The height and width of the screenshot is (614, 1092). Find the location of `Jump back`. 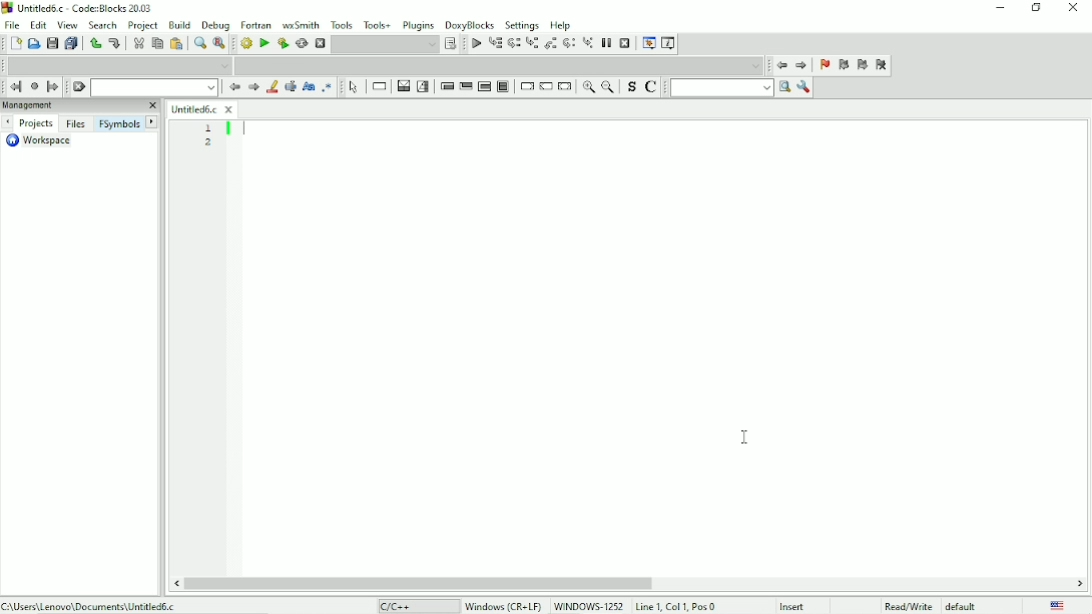

Jump back is located at coordinates (16, 87).